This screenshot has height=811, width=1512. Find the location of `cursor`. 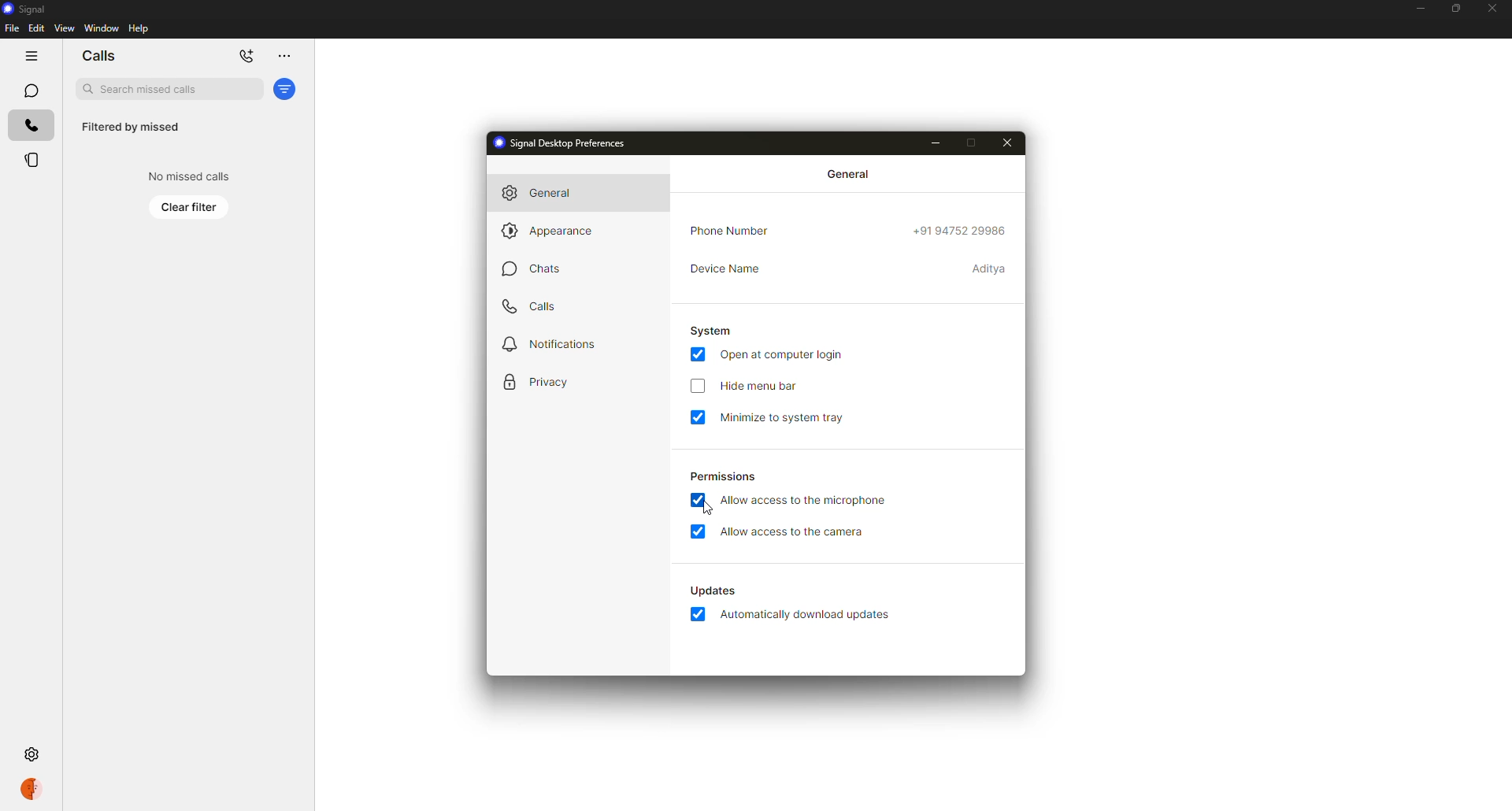

cursor is located at coordinates (707, 509).